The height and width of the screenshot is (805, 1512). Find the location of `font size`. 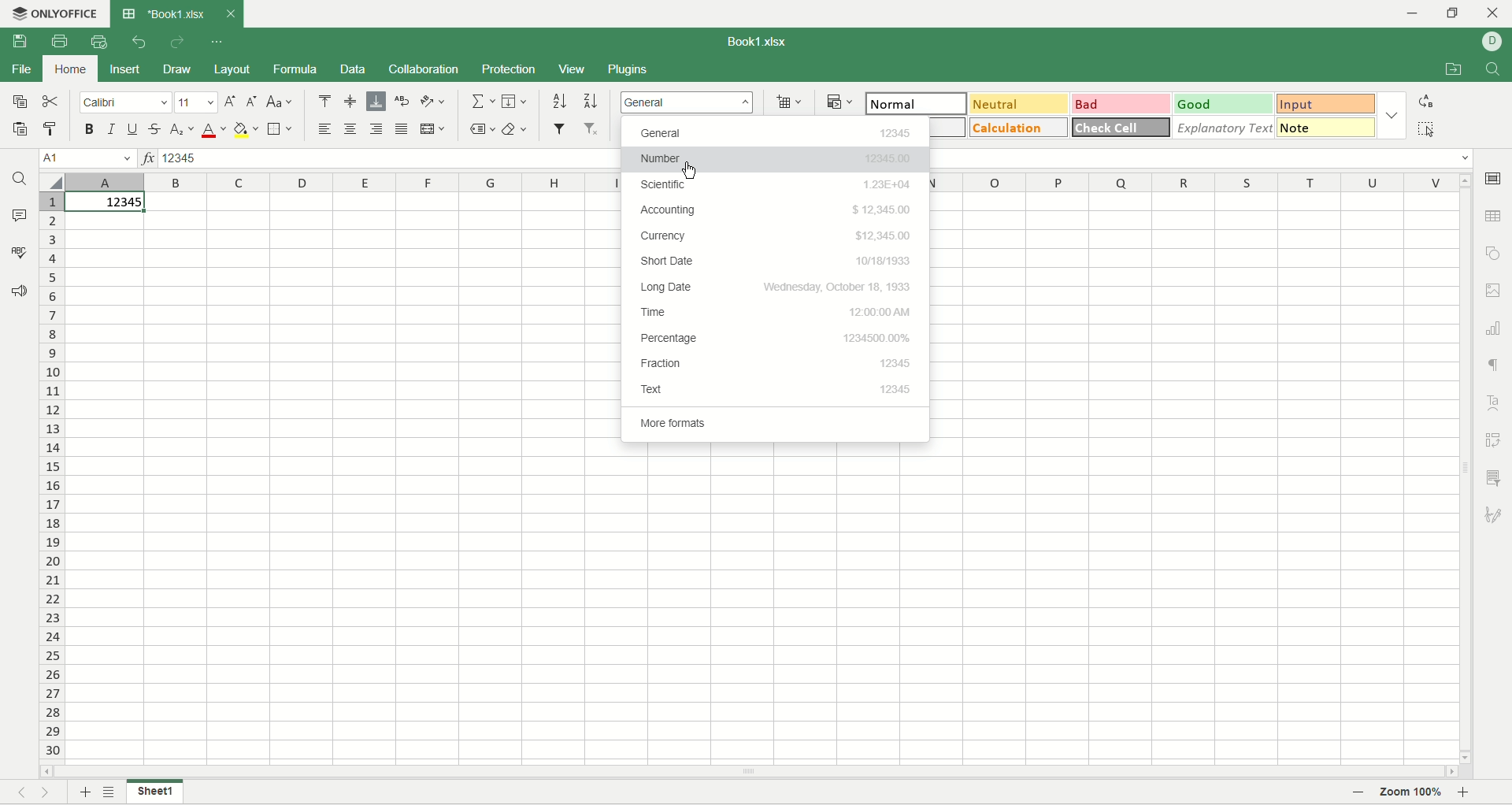

font size is located at coordinates (195, 103).